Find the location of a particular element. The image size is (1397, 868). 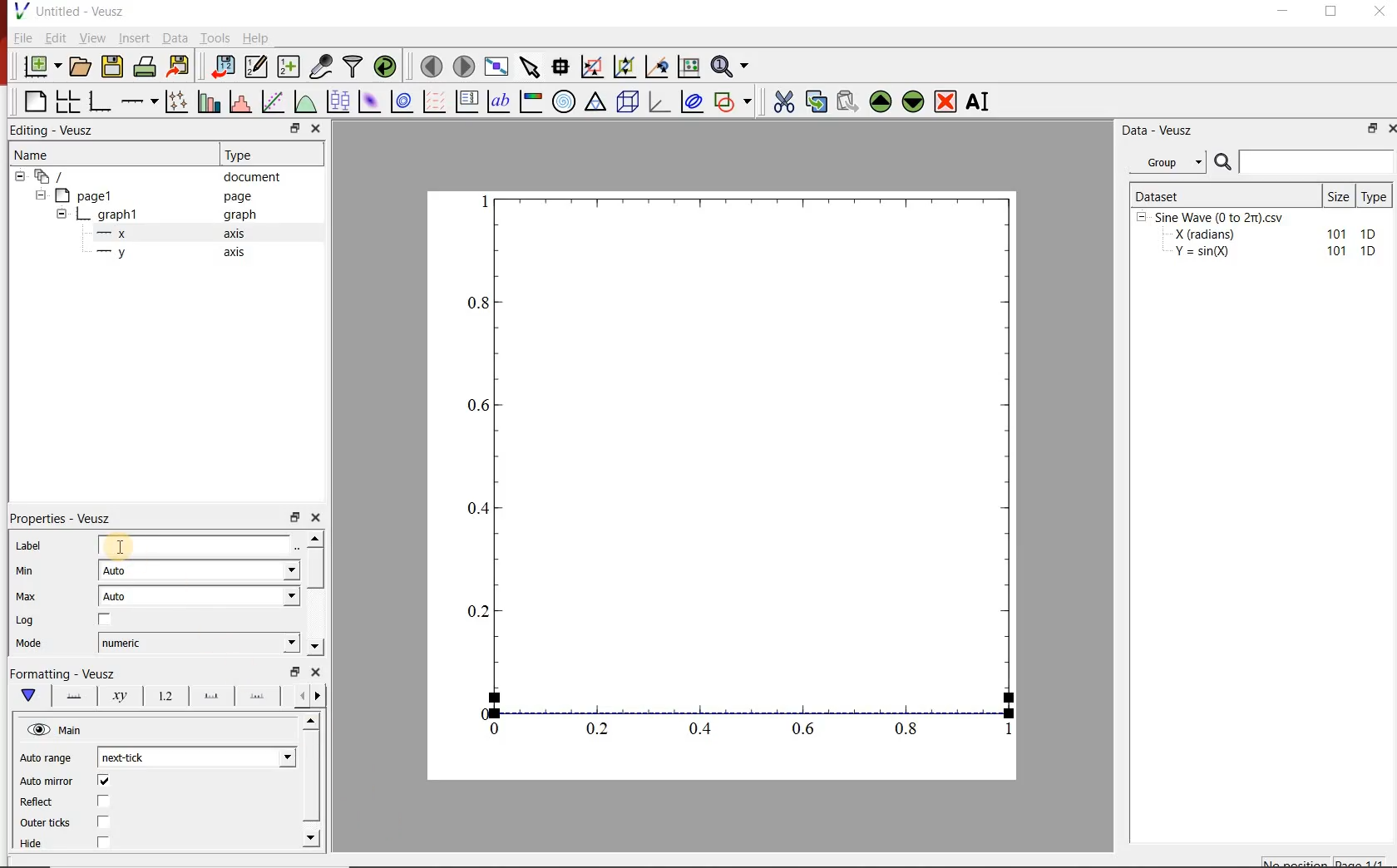

Size is located at coordinates (1340, 195).